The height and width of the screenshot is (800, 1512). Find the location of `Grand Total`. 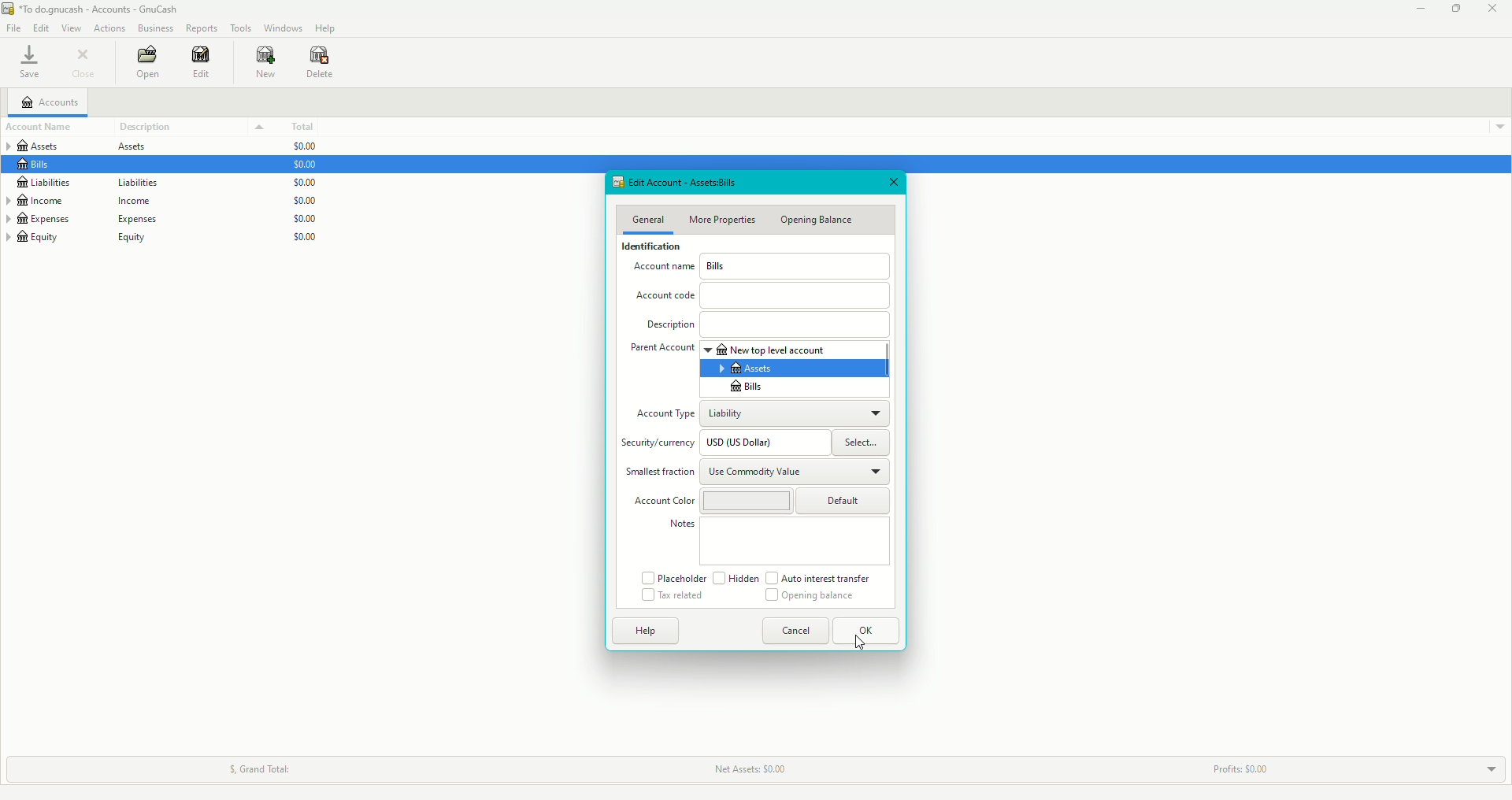

Grand Total is located at coordinates (254, 766).